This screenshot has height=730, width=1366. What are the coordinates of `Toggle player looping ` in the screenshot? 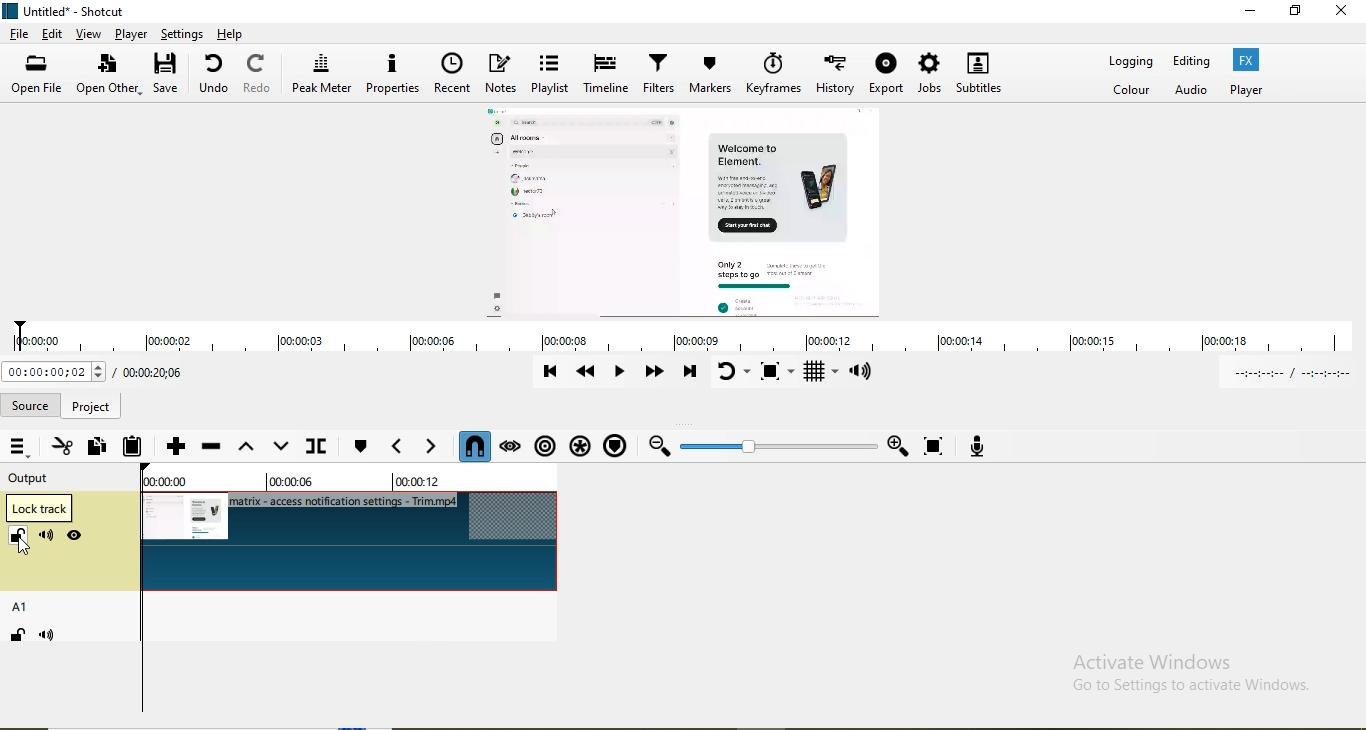 It's located at (734, 375).